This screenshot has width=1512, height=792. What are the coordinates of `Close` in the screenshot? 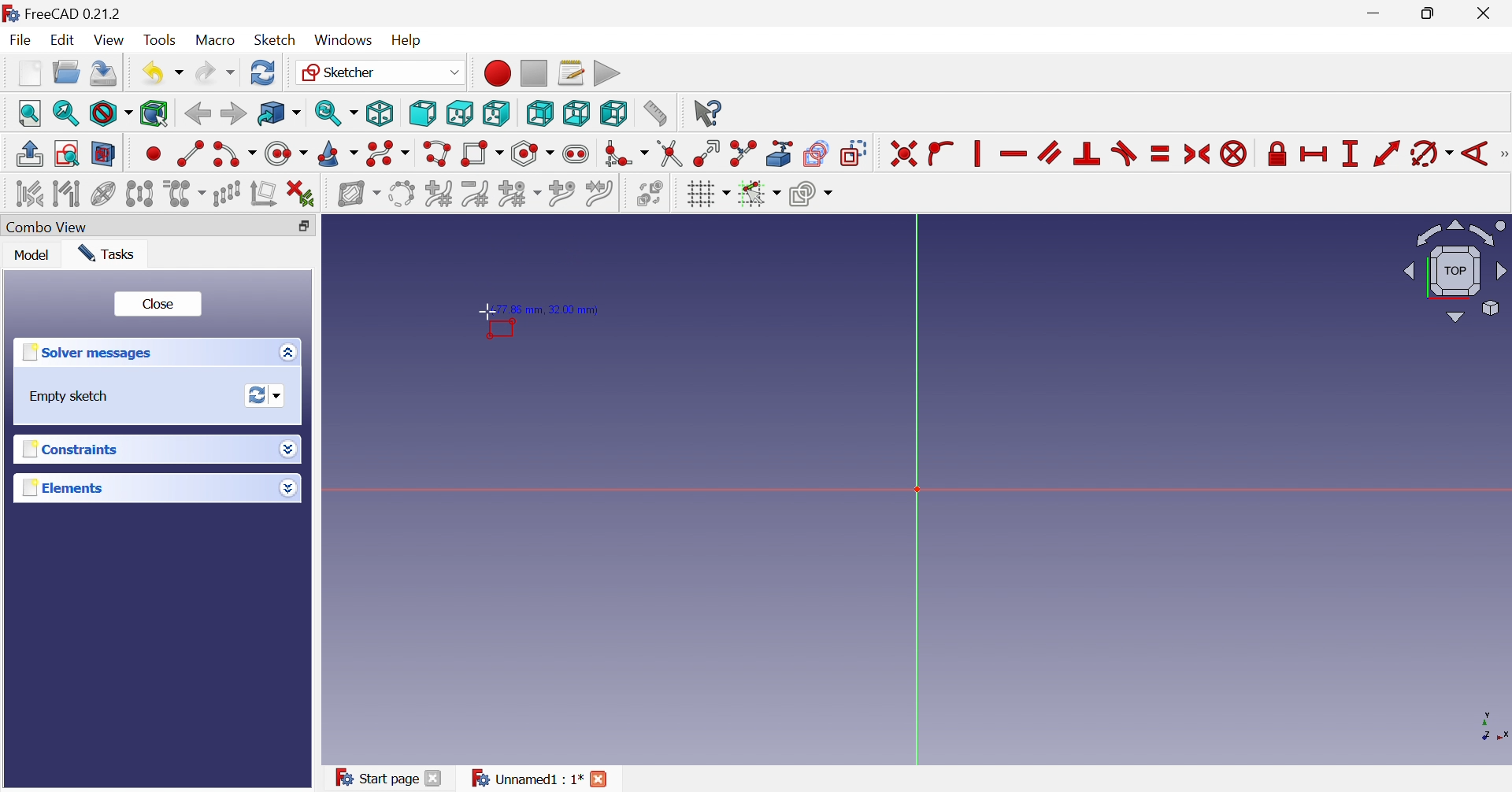 It's located at (600, 779).